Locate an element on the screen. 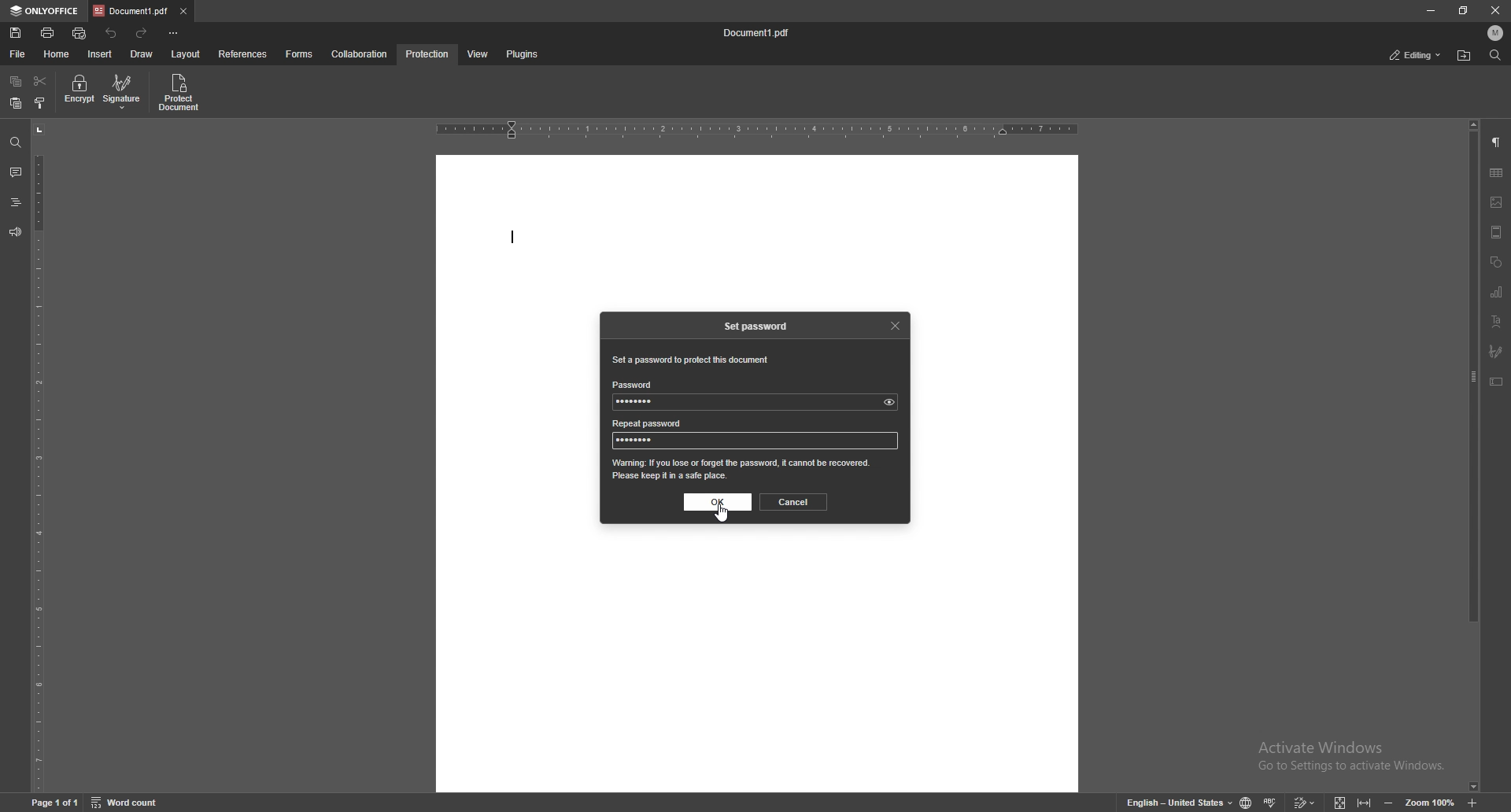  file is located at coordinates (16, 55).